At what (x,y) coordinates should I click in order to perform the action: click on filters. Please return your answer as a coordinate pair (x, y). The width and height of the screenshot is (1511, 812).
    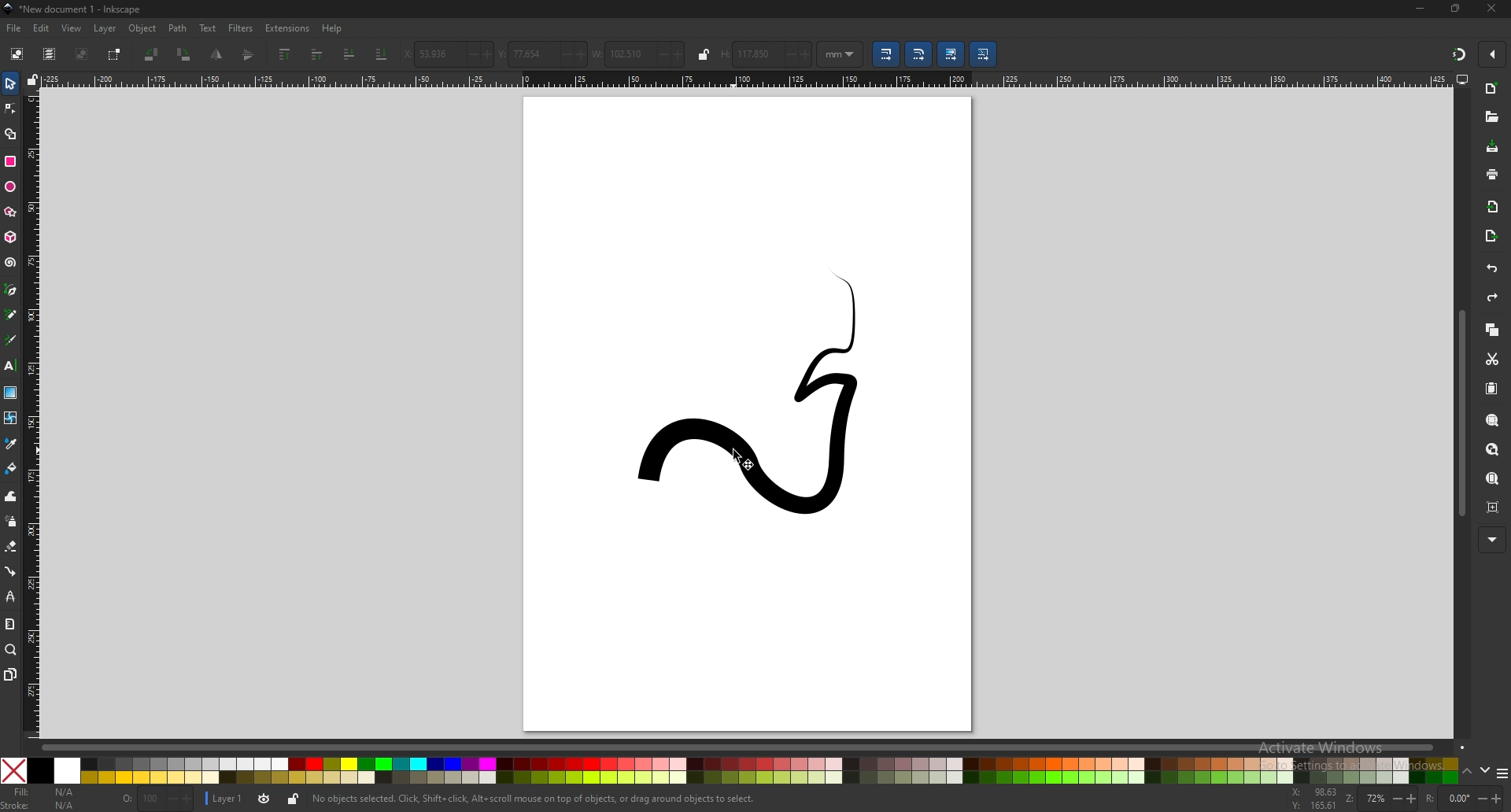
    Looking at the image, I should click on (241, 28).